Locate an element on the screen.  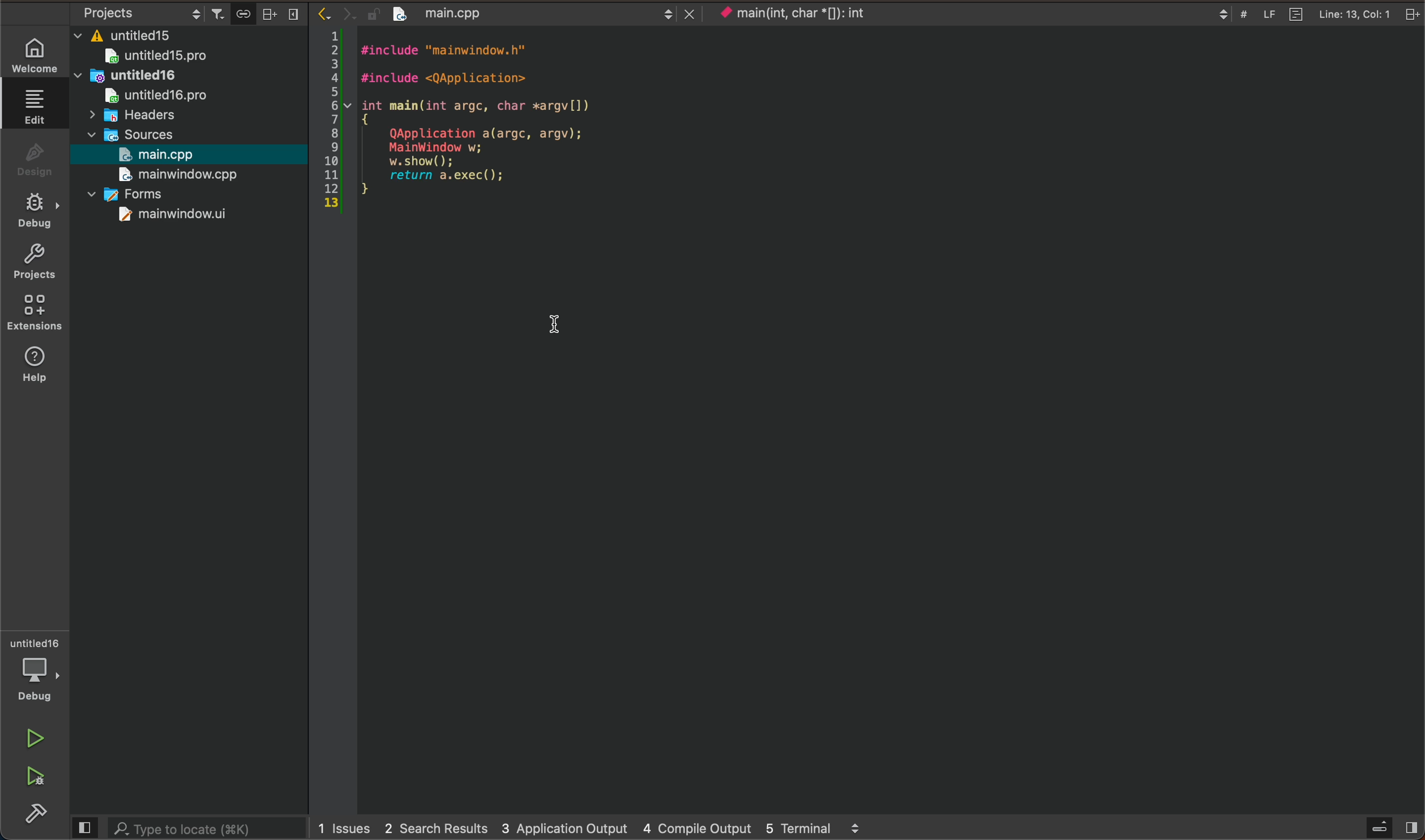
logs is located at coordinates (594, 829).